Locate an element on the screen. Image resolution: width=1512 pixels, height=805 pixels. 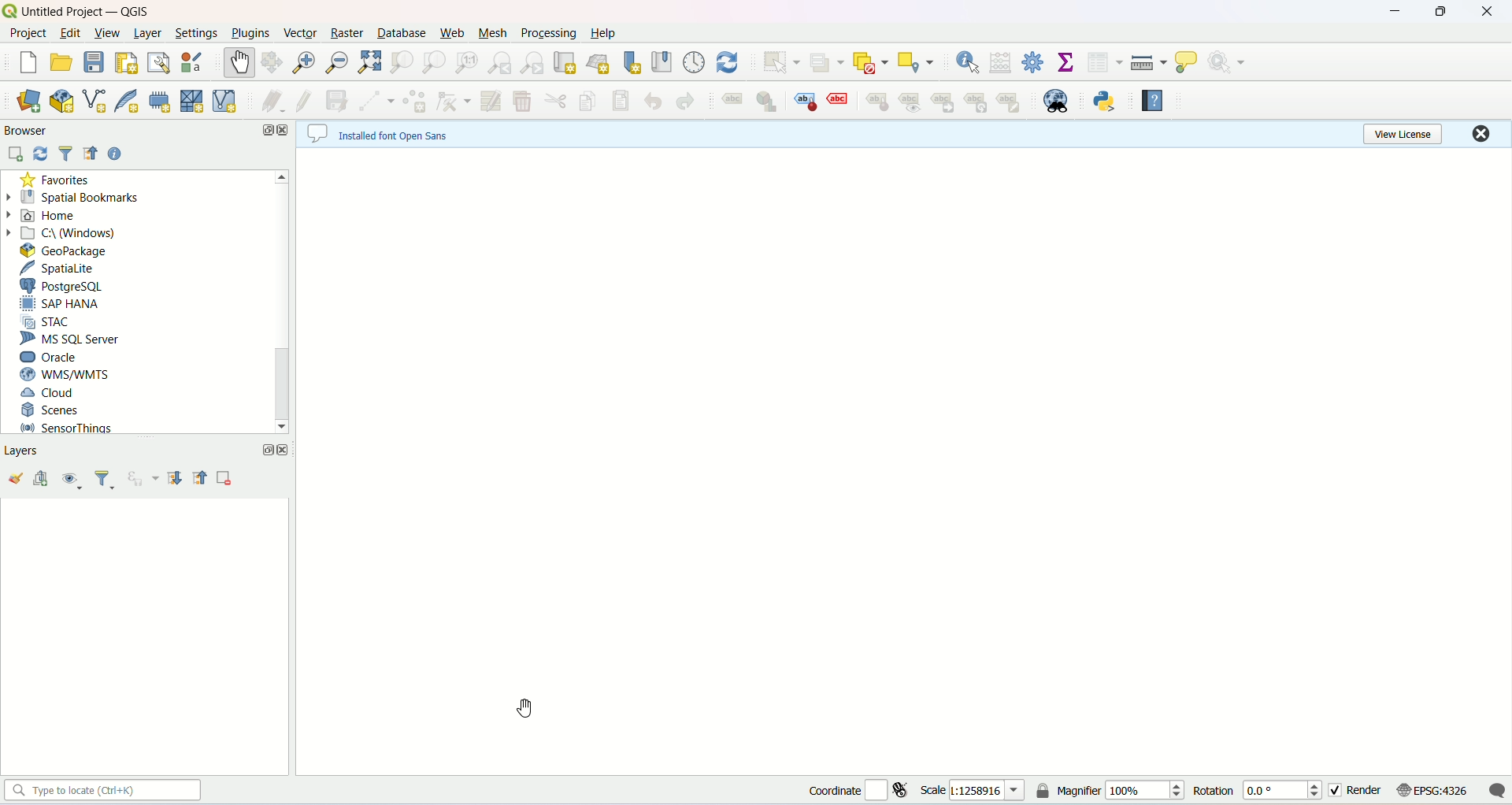
view license is located at coordinates (1410, 135).